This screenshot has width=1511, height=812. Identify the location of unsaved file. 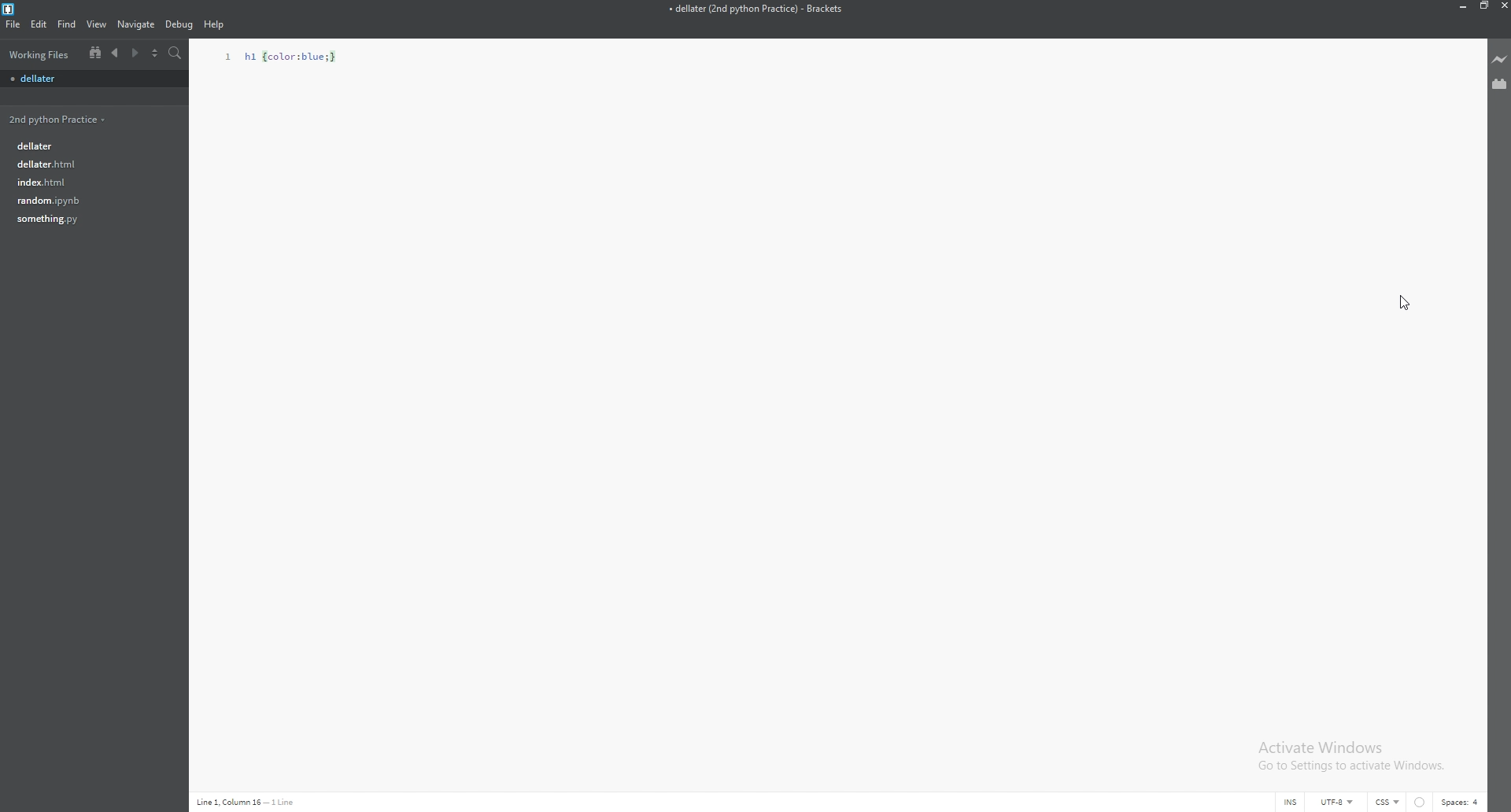
(72, 79).